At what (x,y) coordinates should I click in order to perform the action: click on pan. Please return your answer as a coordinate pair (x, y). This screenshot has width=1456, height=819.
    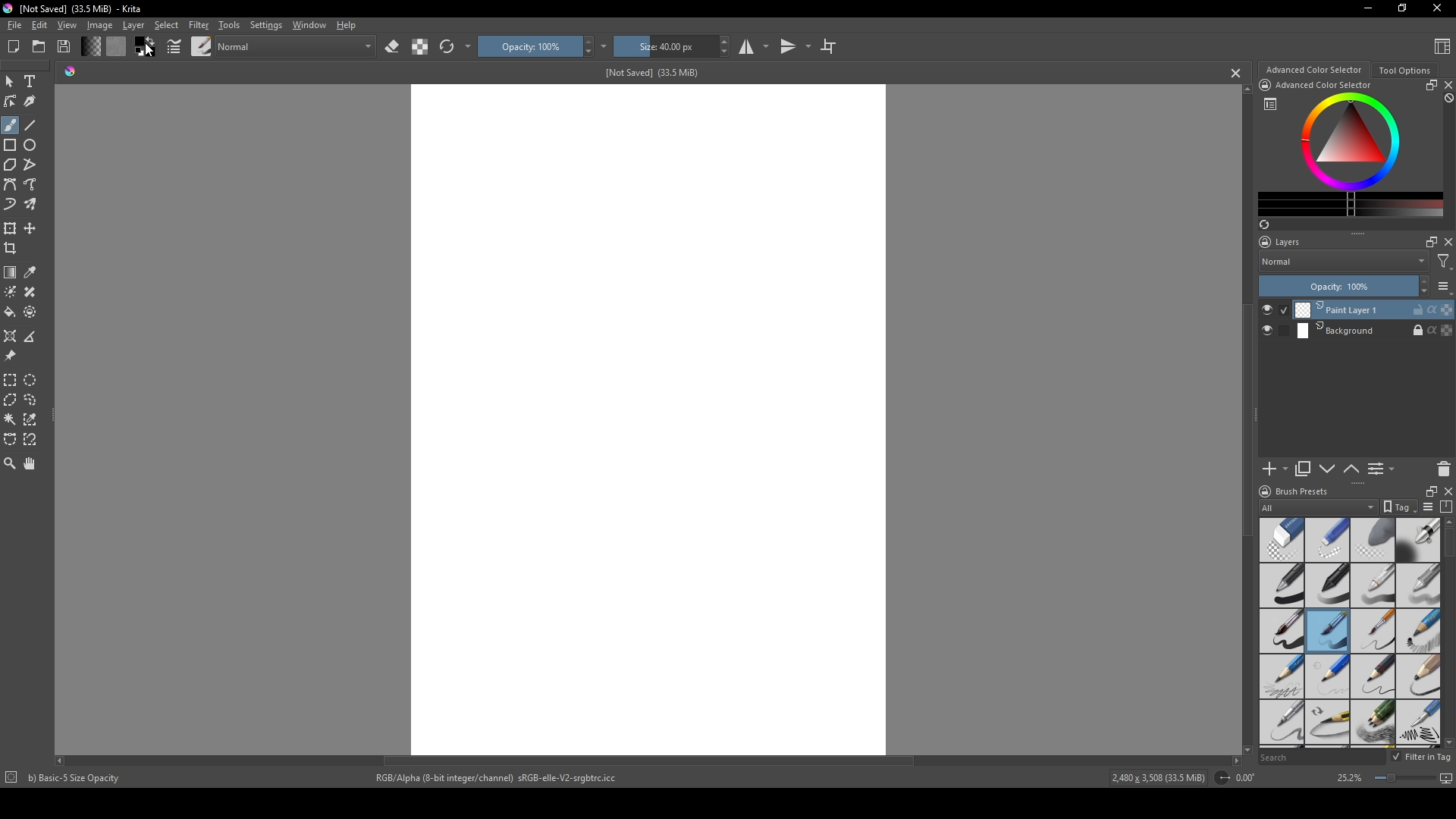
    Looking at the image, I should click on (31, 463).